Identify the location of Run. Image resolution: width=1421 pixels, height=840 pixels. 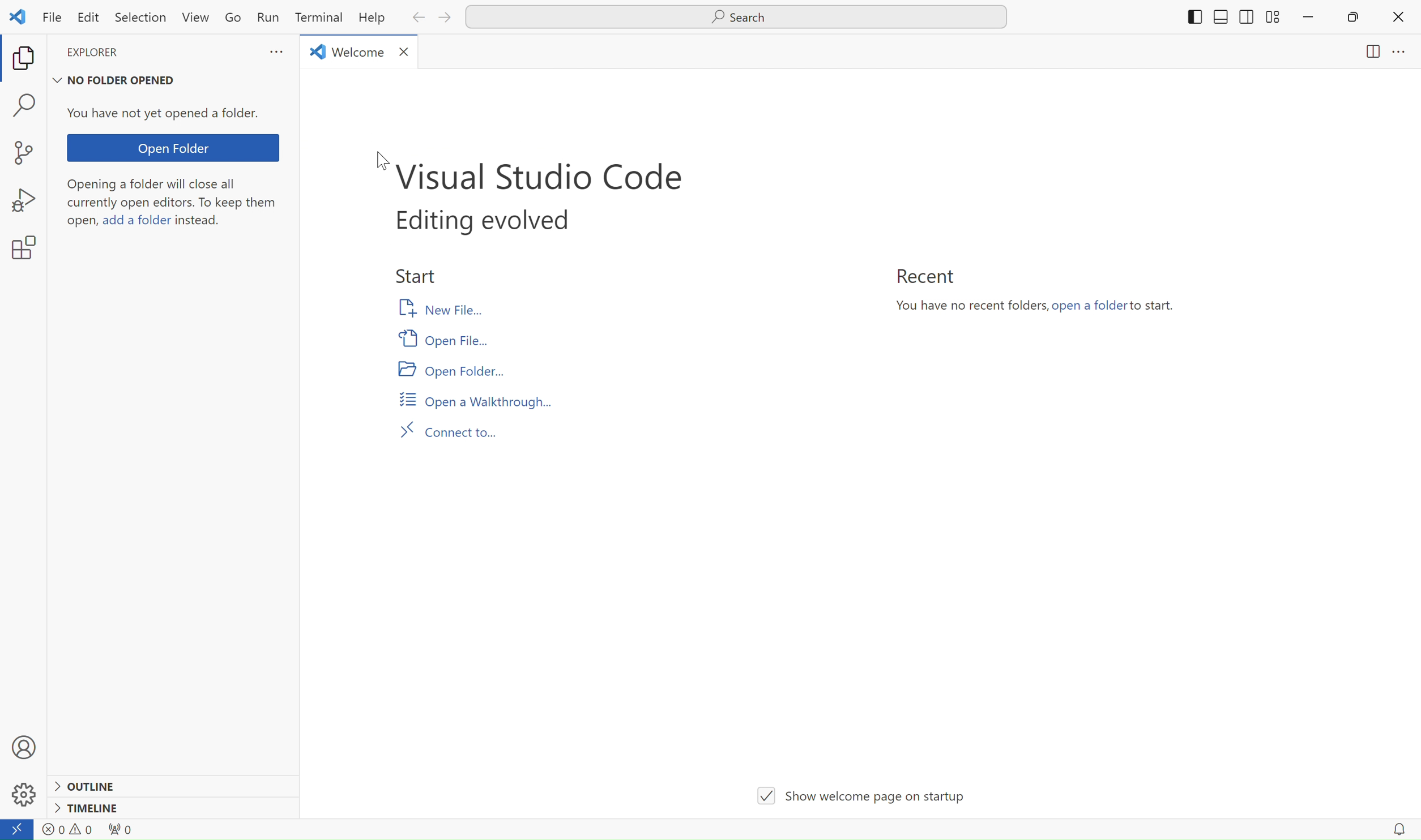
(266, 18).